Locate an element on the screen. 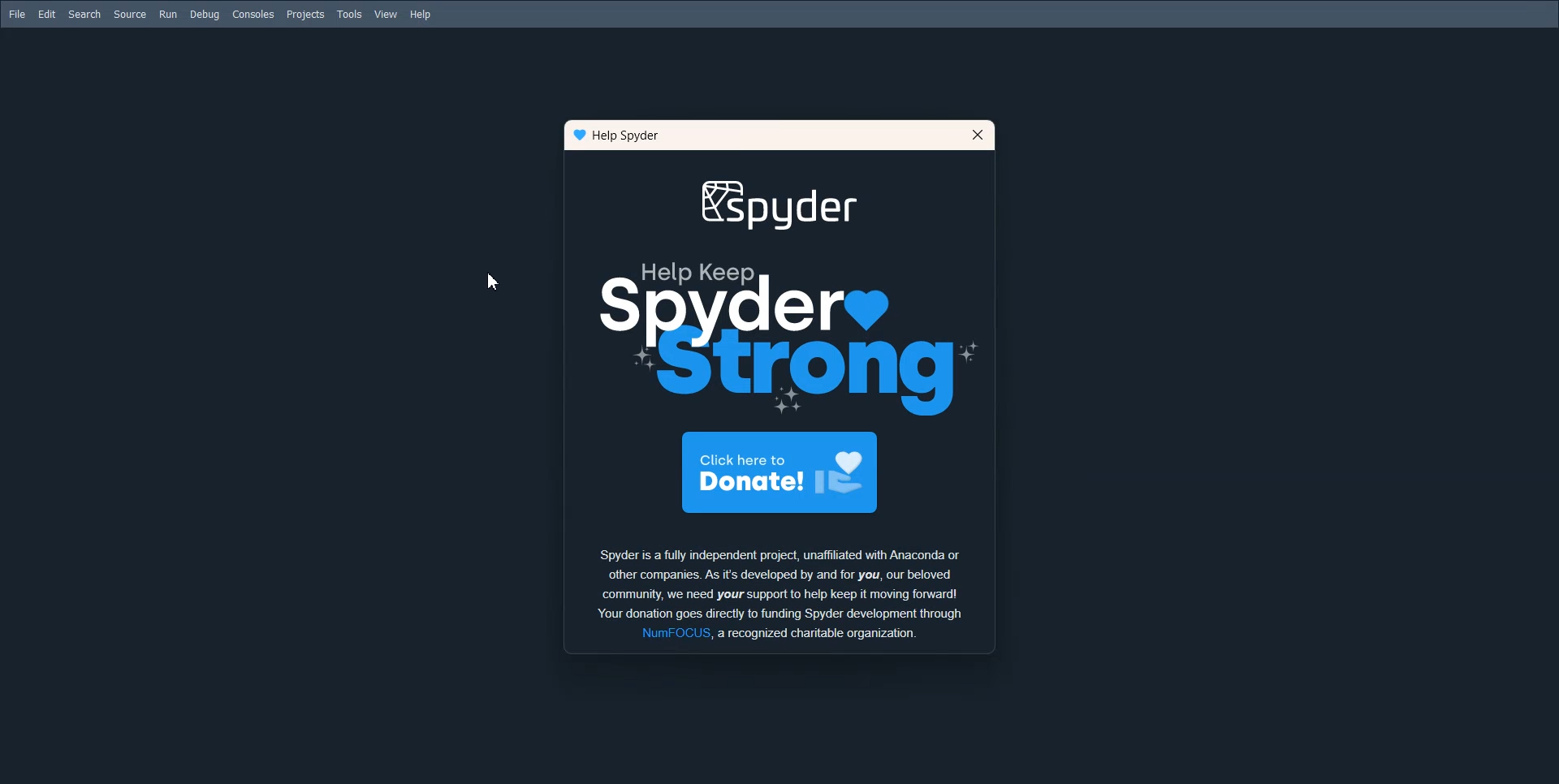  NumFOCUS is located at coordinates (674, 633).